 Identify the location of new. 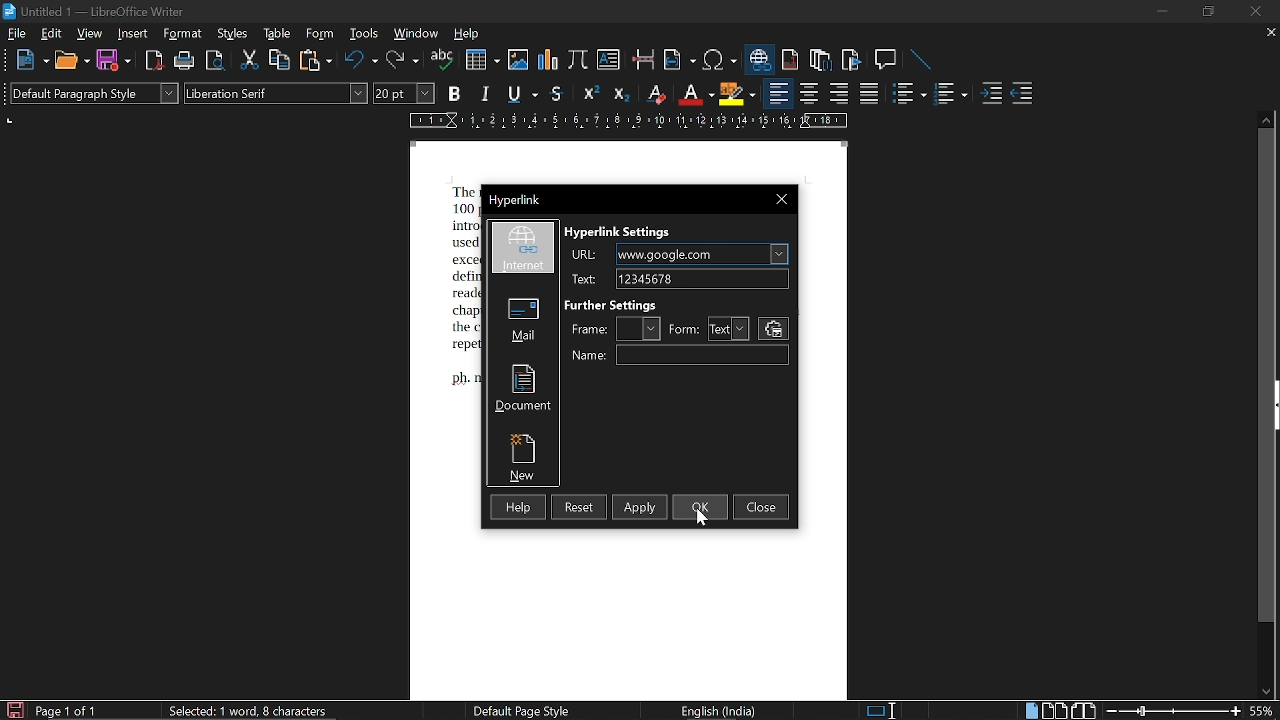
(523, 455).